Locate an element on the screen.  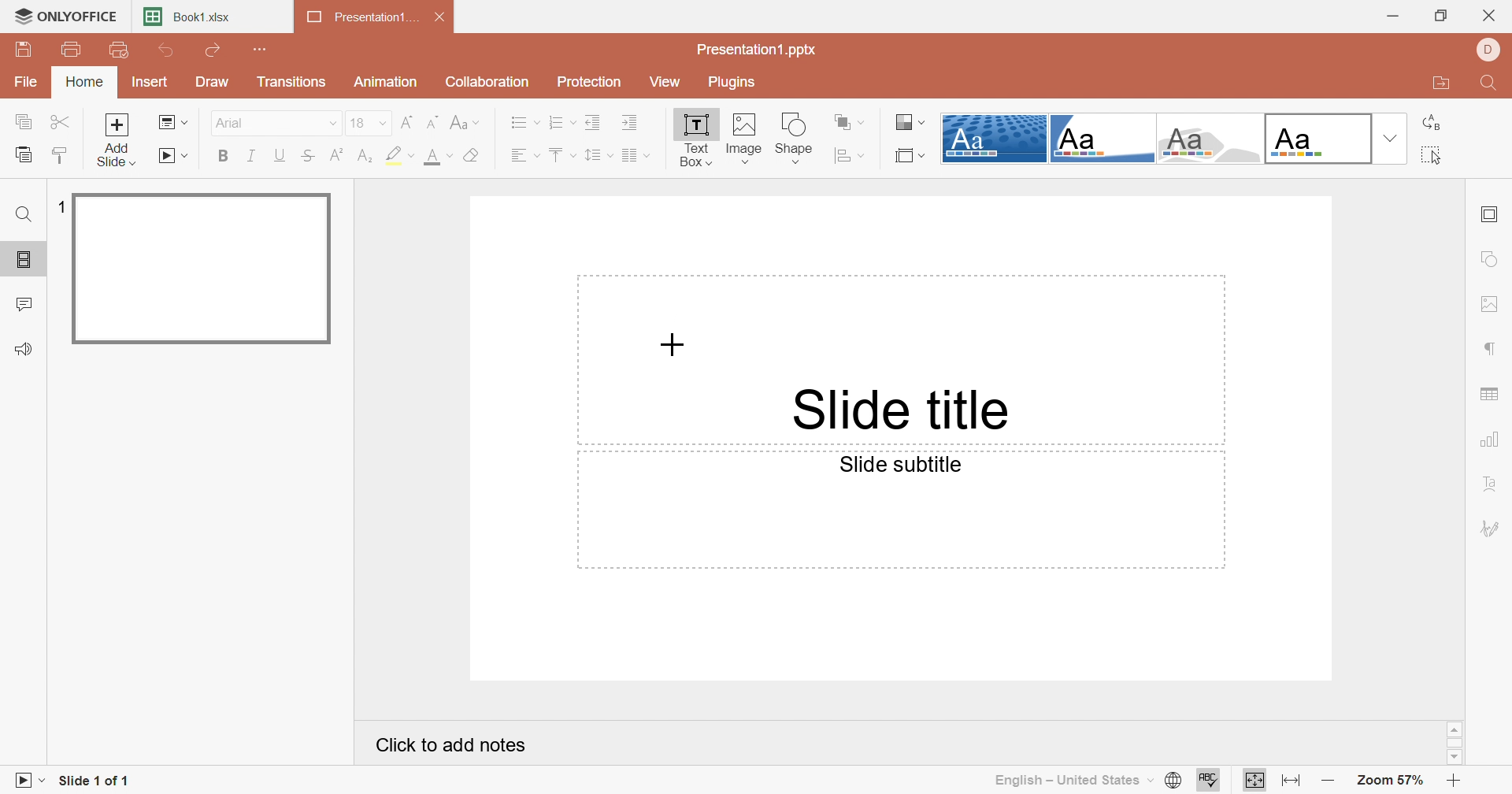
Highlight color is located at coordinates (399, 155).